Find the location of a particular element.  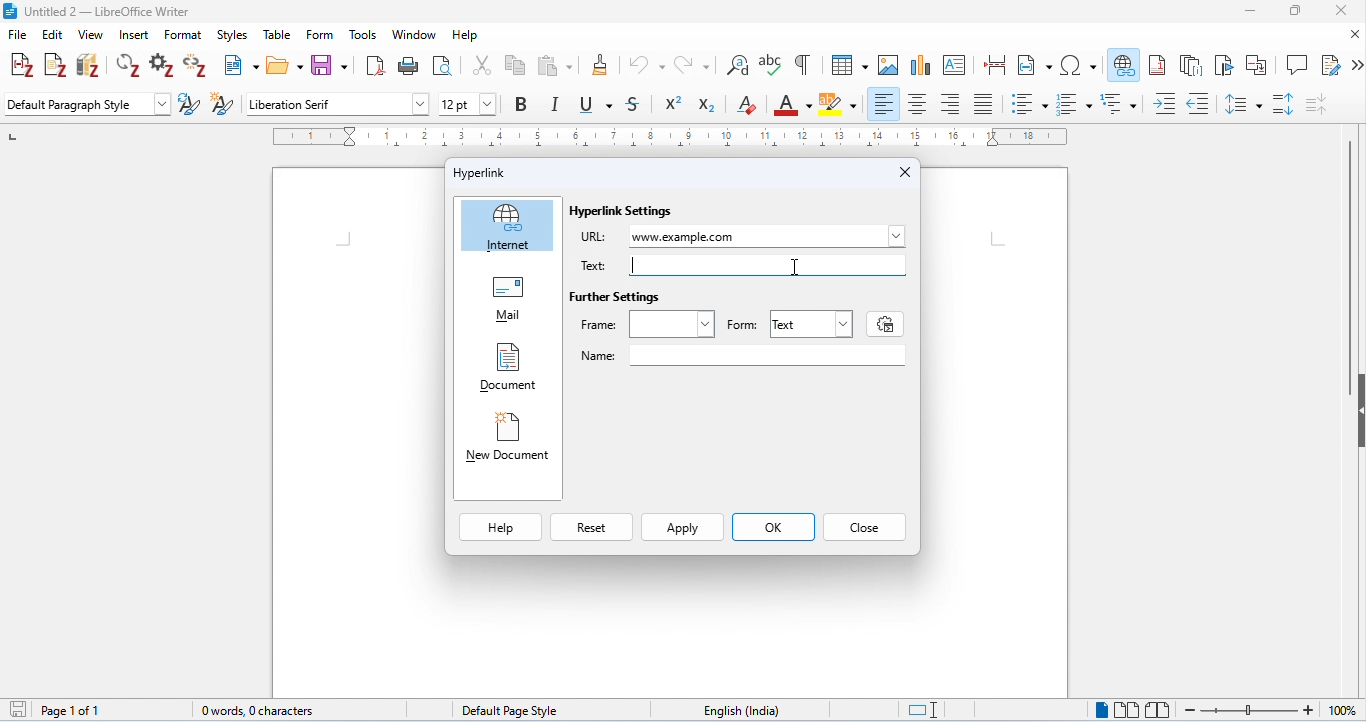

standard selection is located at coordinates (920, 711).